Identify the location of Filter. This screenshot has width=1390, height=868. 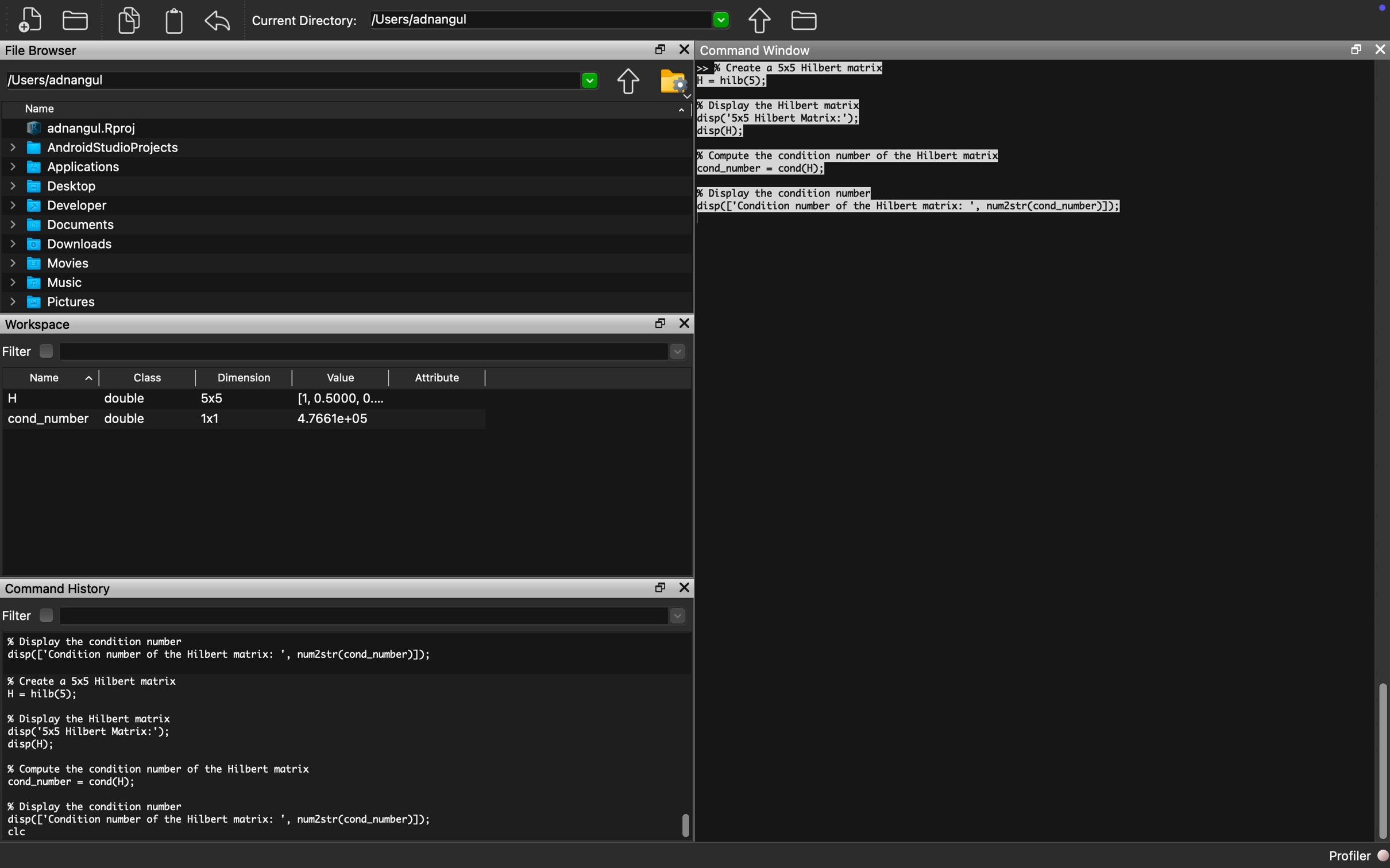
(18, 615).